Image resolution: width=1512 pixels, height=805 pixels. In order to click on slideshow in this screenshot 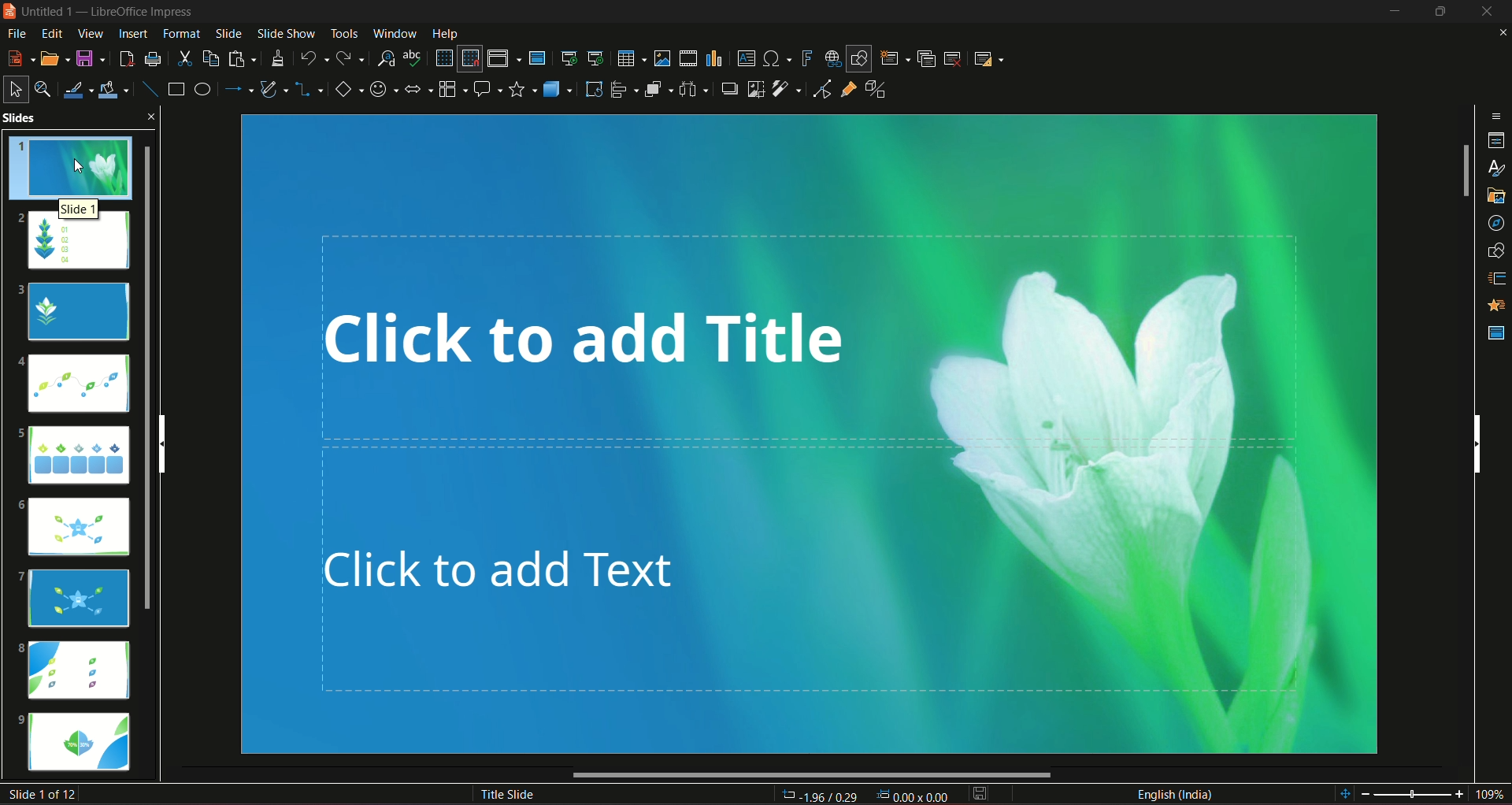, I will do `click(284, 32)`.